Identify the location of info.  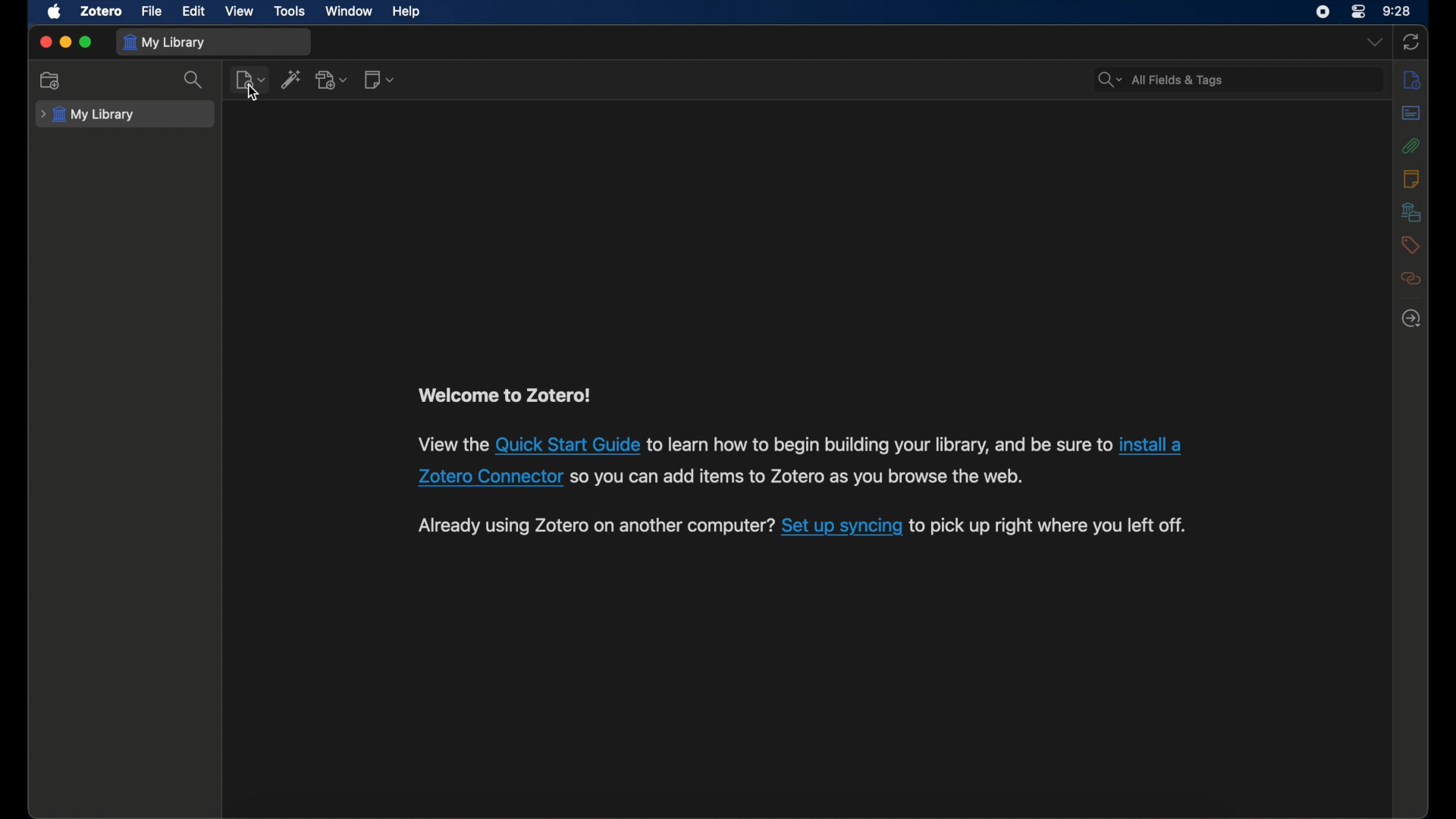
(1412, 79).